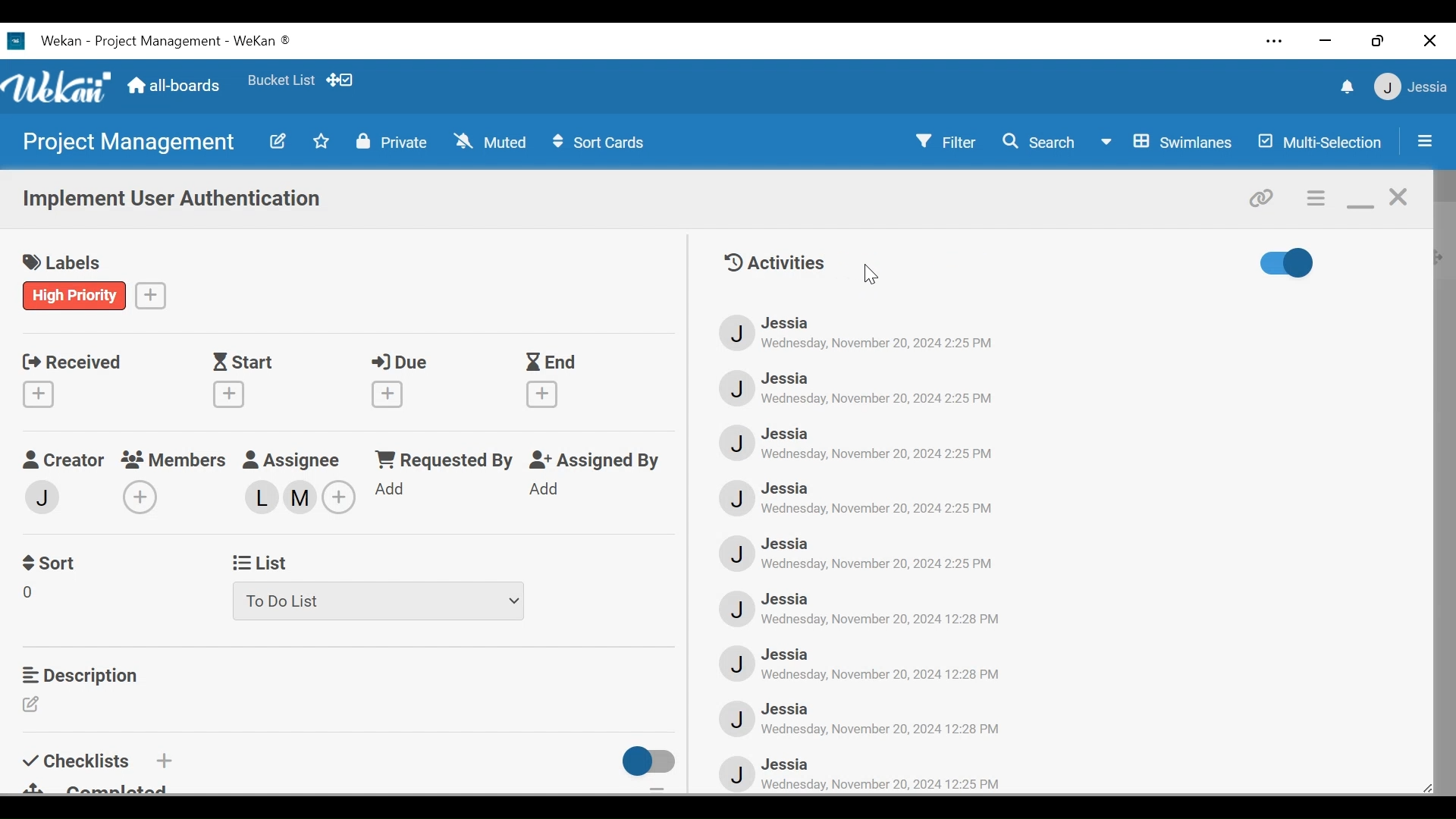 This screenshot has height=819, width=1456. I want to click on Avata, so click(739, 664).